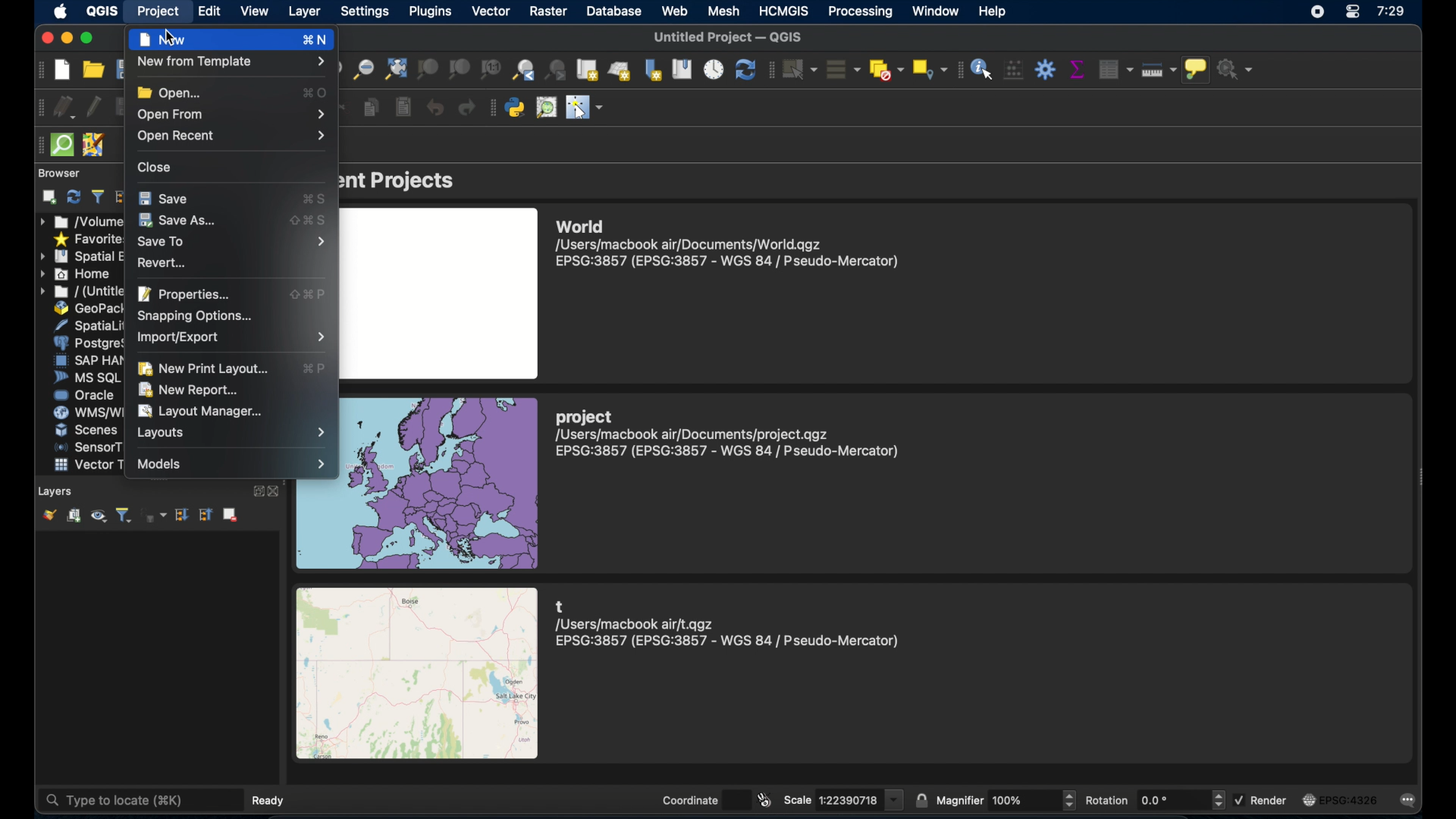 This screenshot has height=819, width=1456. I want to click on remove layer/group, so click(231, 513).